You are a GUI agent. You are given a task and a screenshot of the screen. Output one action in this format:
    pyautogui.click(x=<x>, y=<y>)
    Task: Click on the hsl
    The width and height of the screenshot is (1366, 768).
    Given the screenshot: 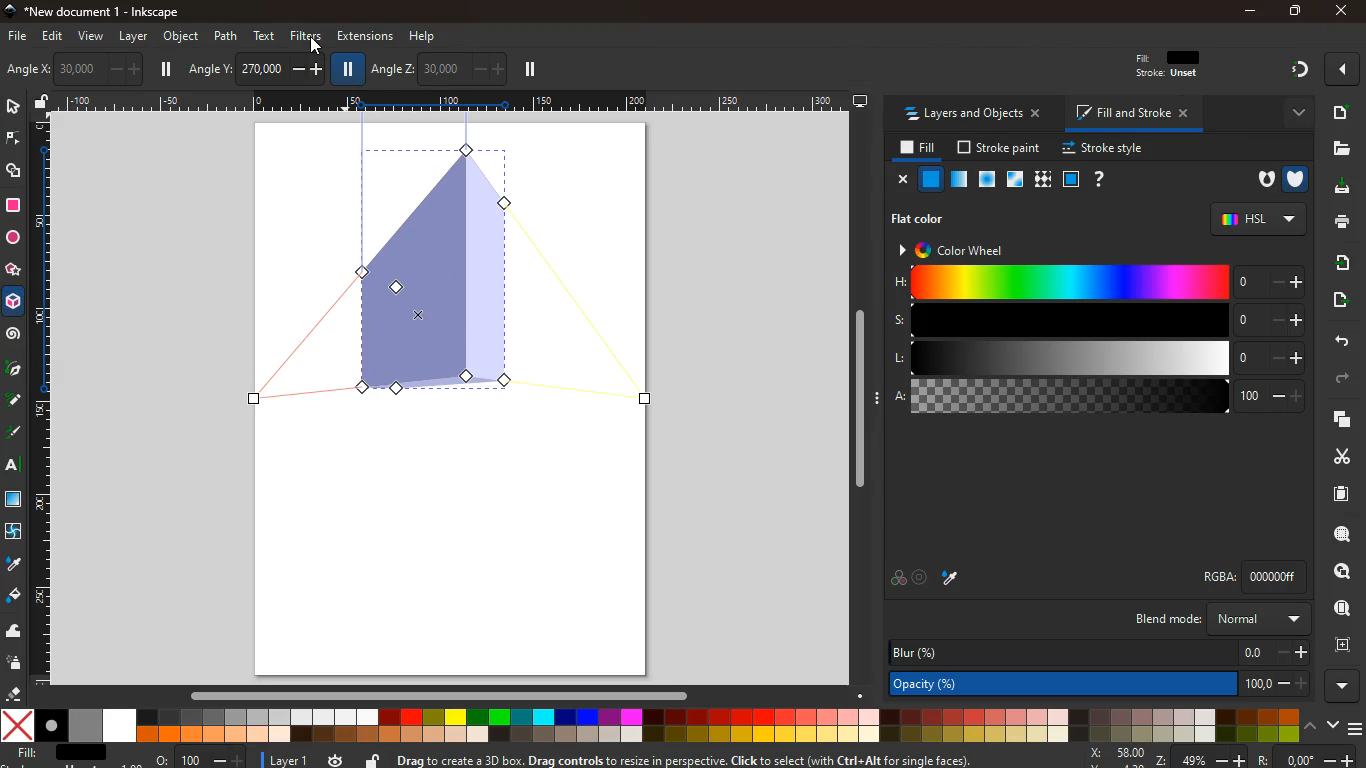 What is the action you would take?
    pyautogui.click(x=1256, y=219)
    